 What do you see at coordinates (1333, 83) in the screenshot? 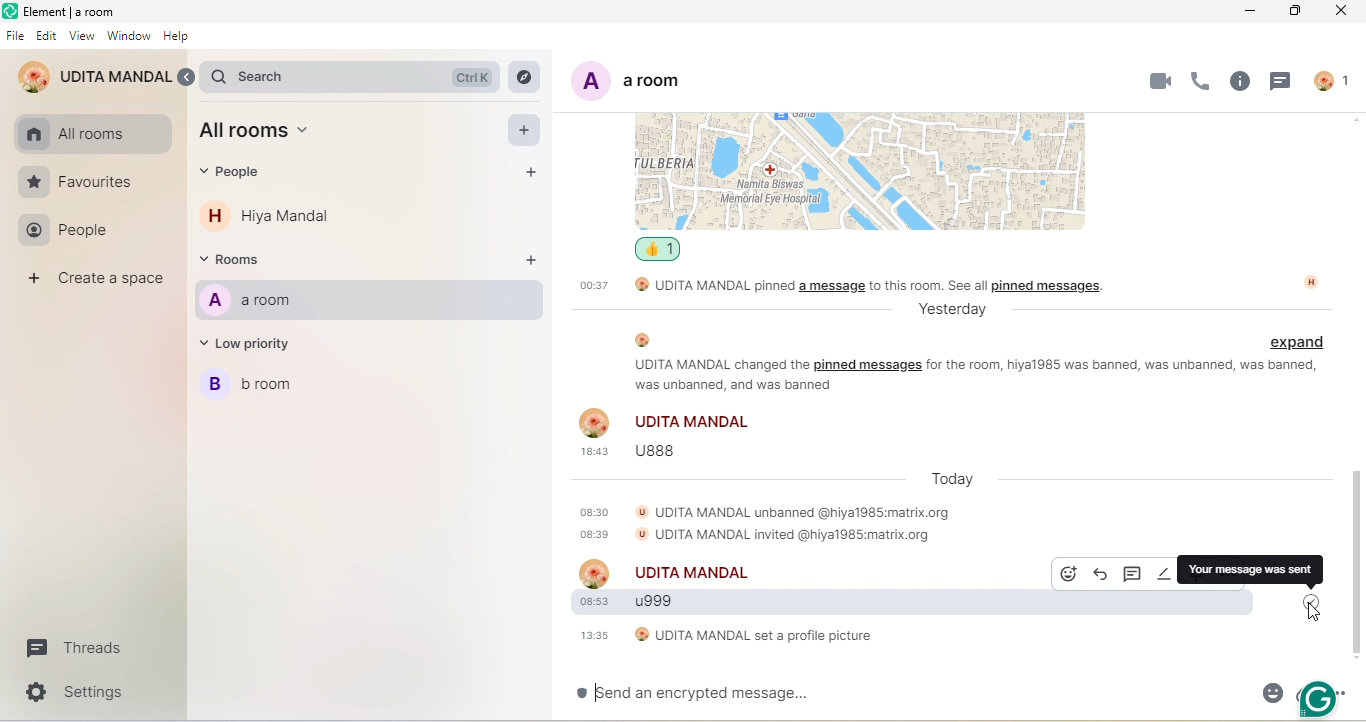
I see `Profile` at bounding box center [1333, 83].